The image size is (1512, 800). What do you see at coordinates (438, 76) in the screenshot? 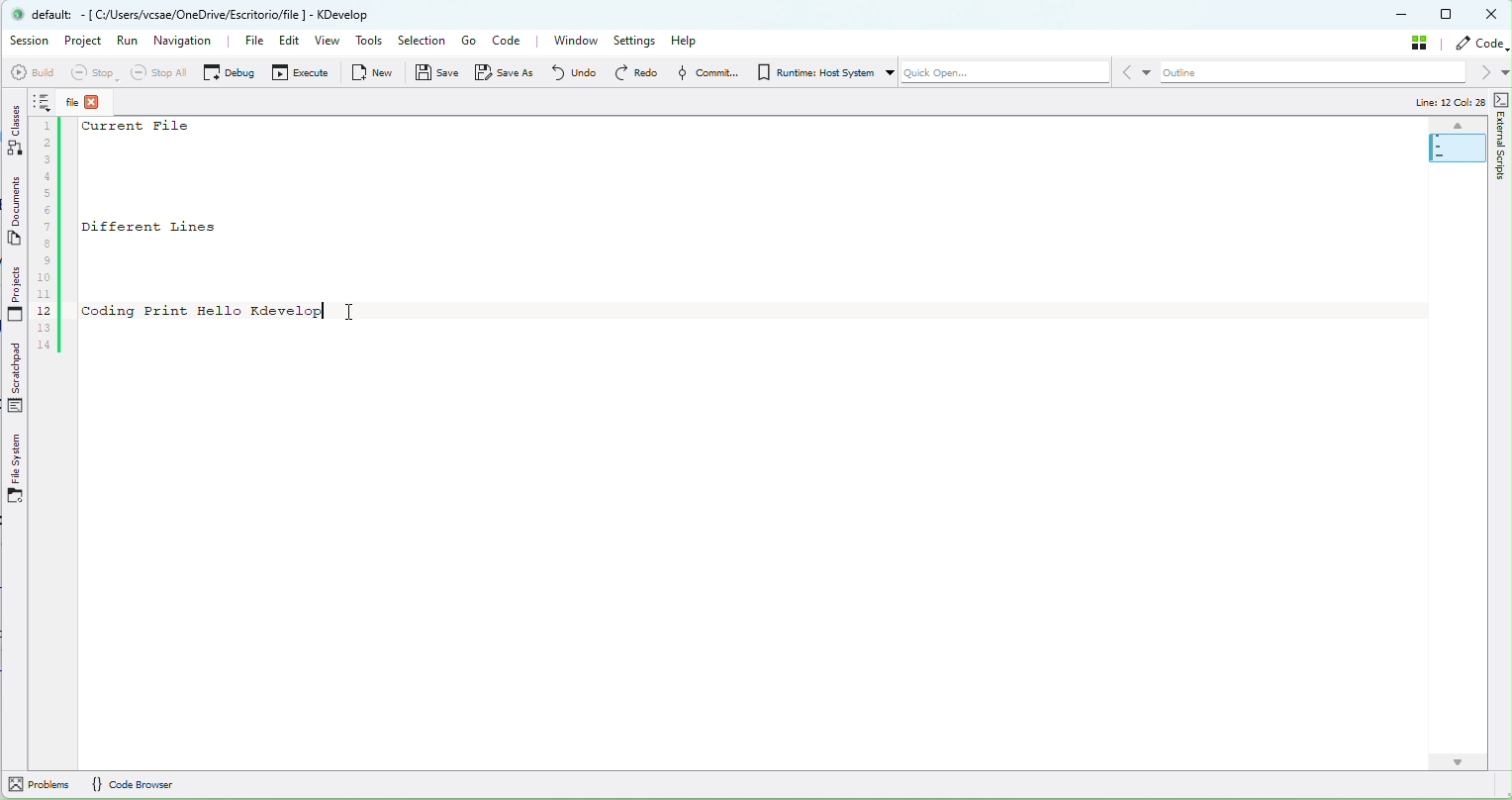
I see `Save` at bounding box center [438, 76].